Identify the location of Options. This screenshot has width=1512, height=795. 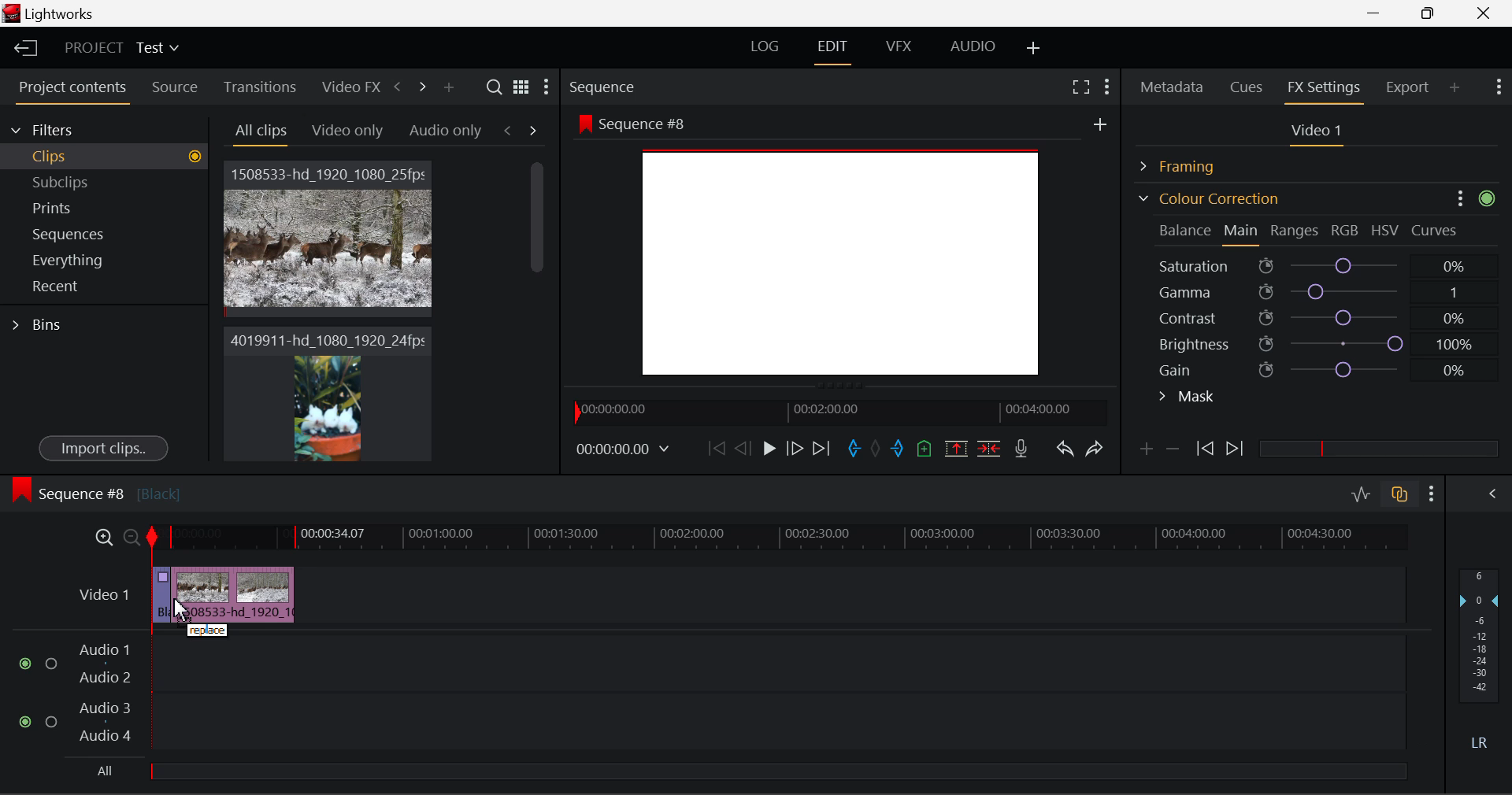
(1456, 197).